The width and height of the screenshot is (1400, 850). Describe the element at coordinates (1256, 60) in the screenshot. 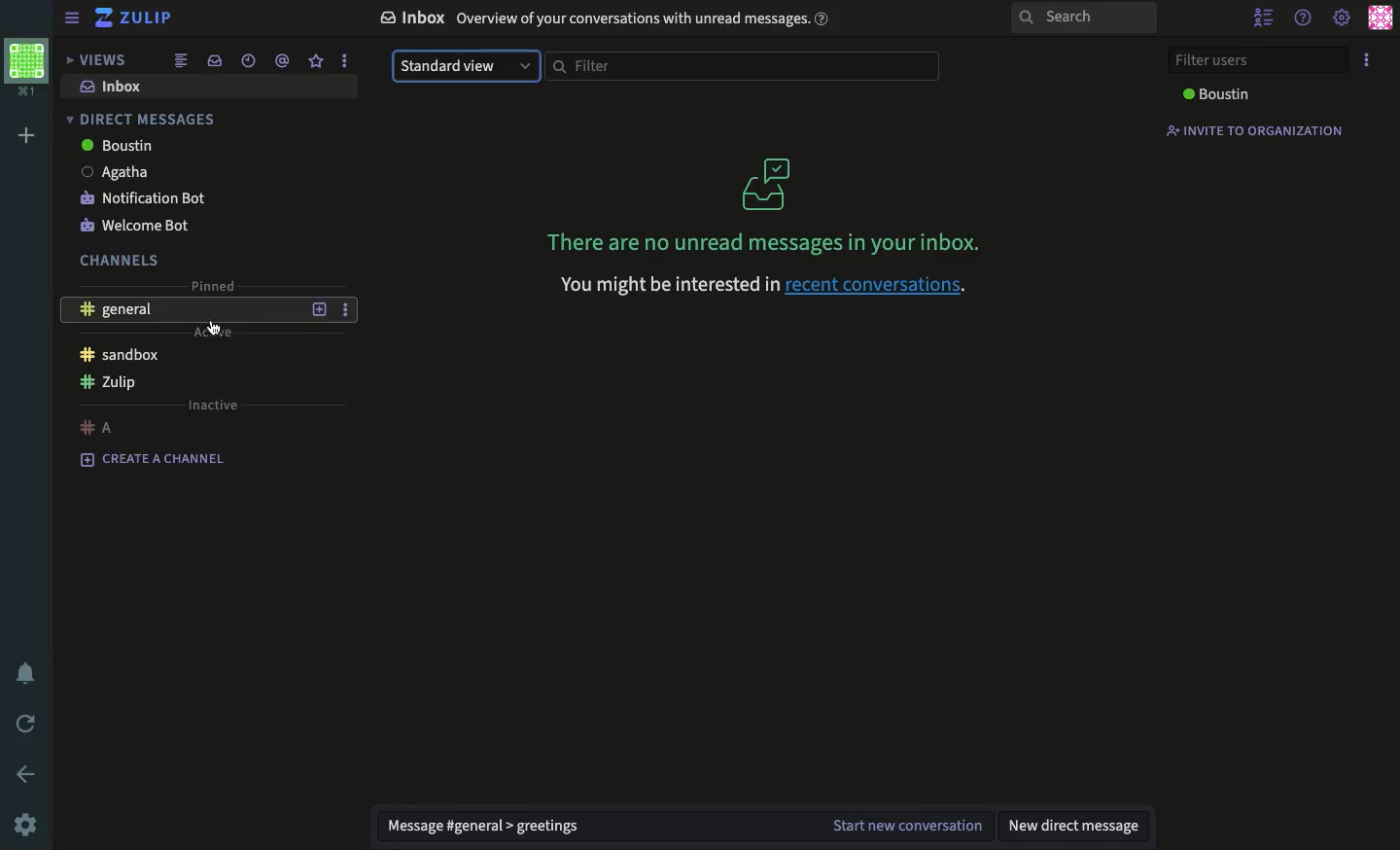

I see `filter users` at that location.